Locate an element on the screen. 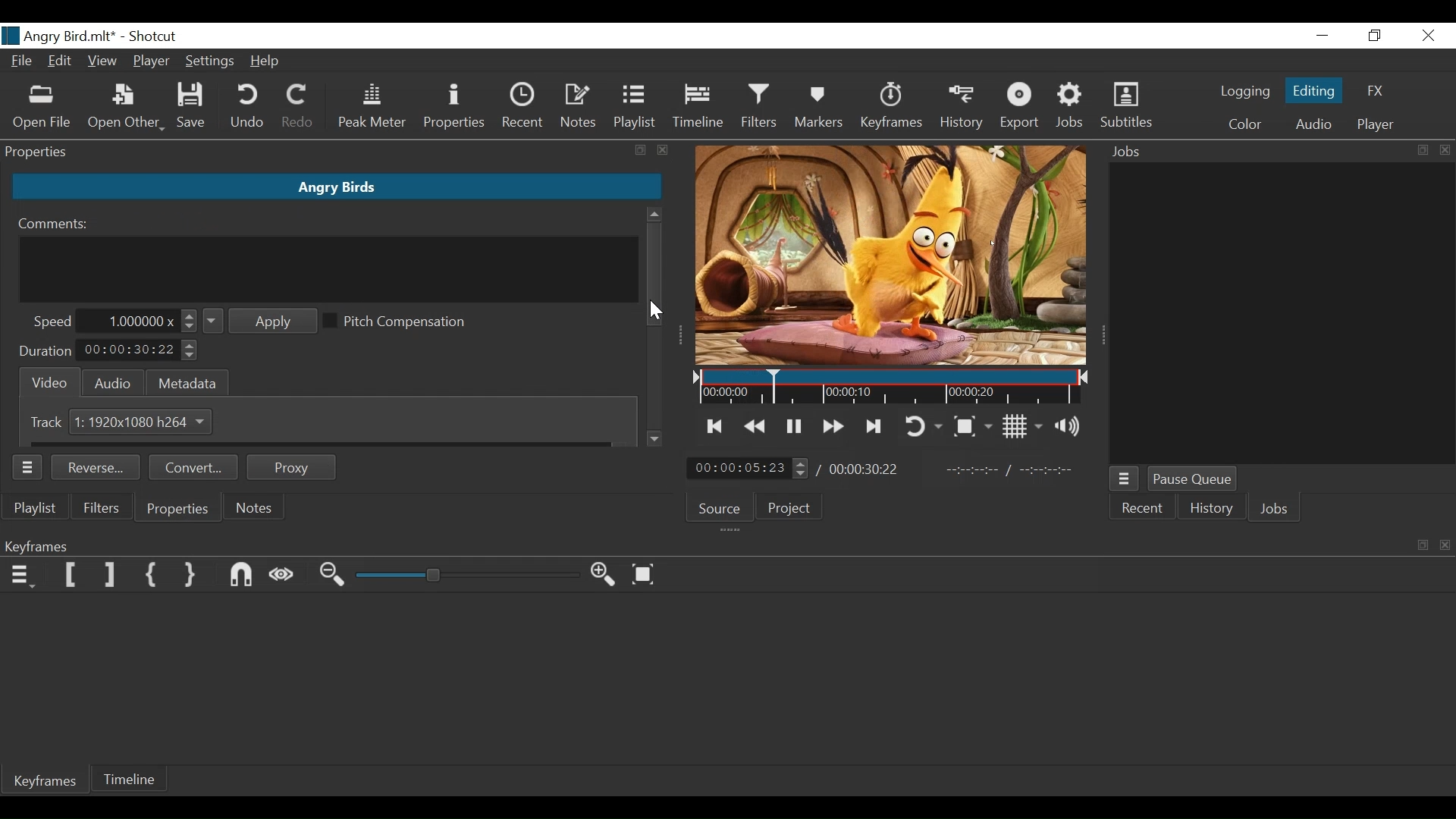  Zoom keyframe to fit is located at coordinates (645, 574).